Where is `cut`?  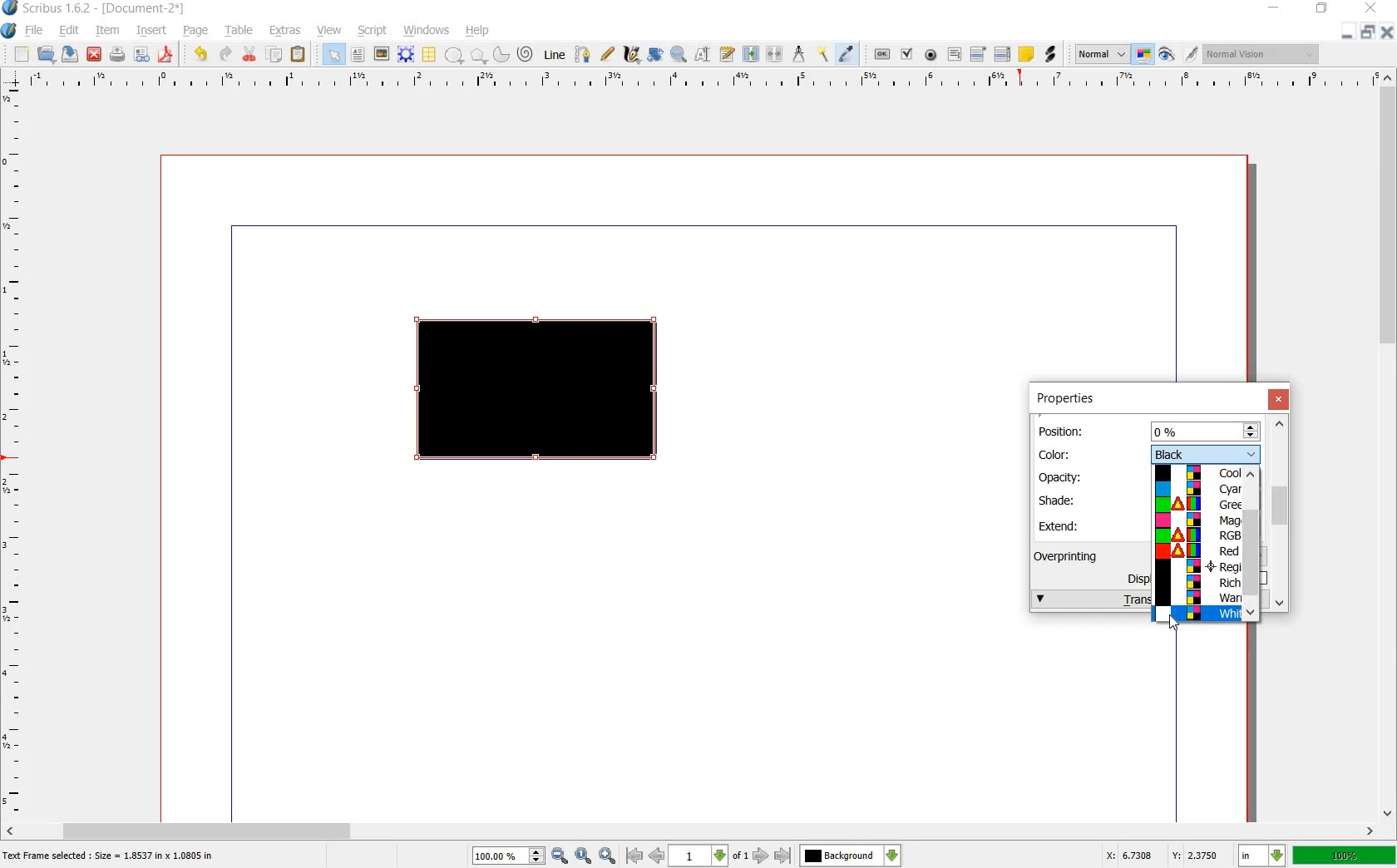
cut is located at coordinates (250, 55).